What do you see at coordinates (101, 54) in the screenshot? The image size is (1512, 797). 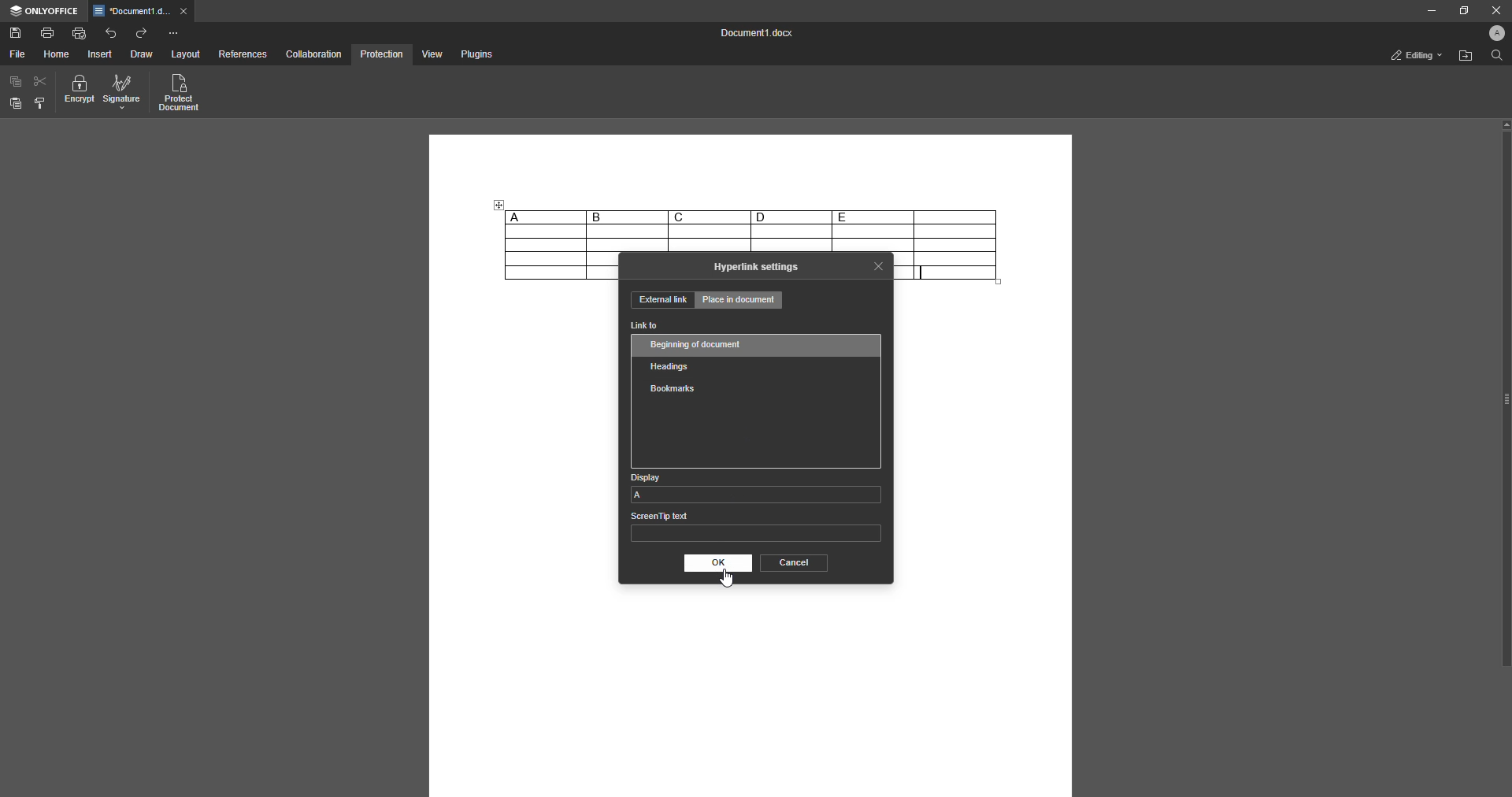 I see `Insert` at bounding box center [101, 54].